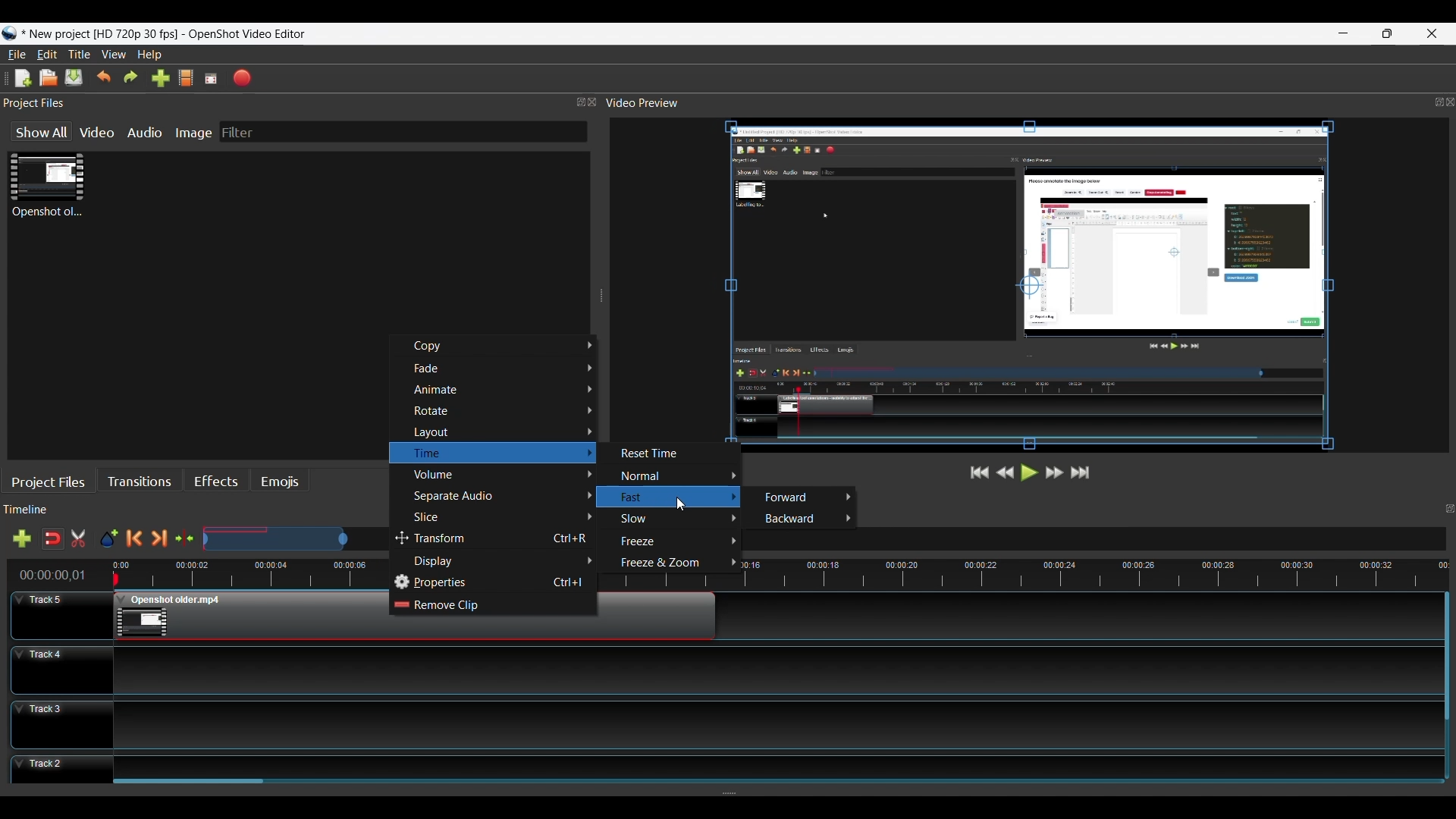 This screenshot has height=819, width=1456. I want to click on Fade, so click(504, 369).